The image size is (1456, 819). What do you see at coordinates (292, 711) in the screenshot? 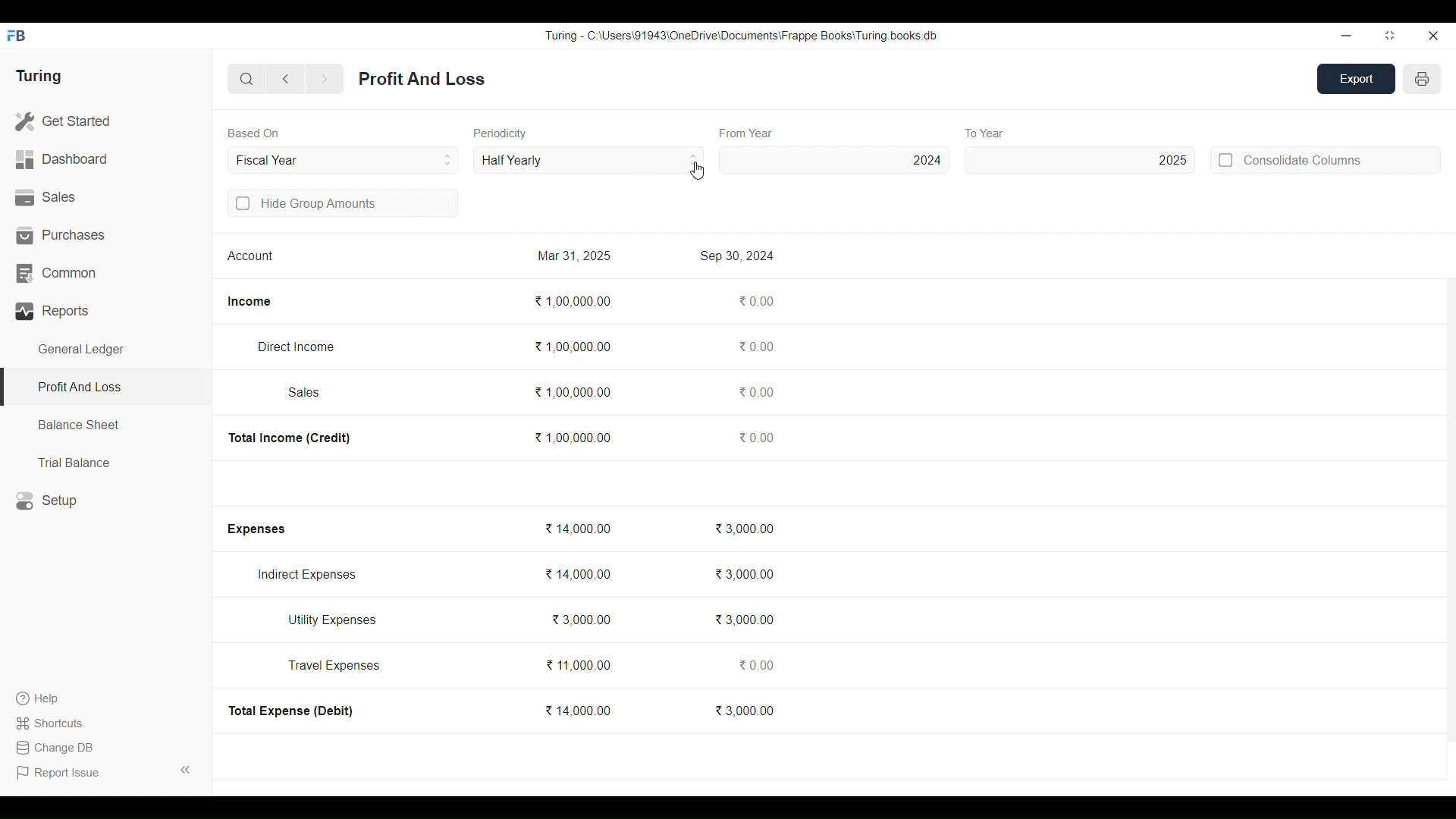
I see `Total Expense (Debit)` at bounding box center [292, 711].